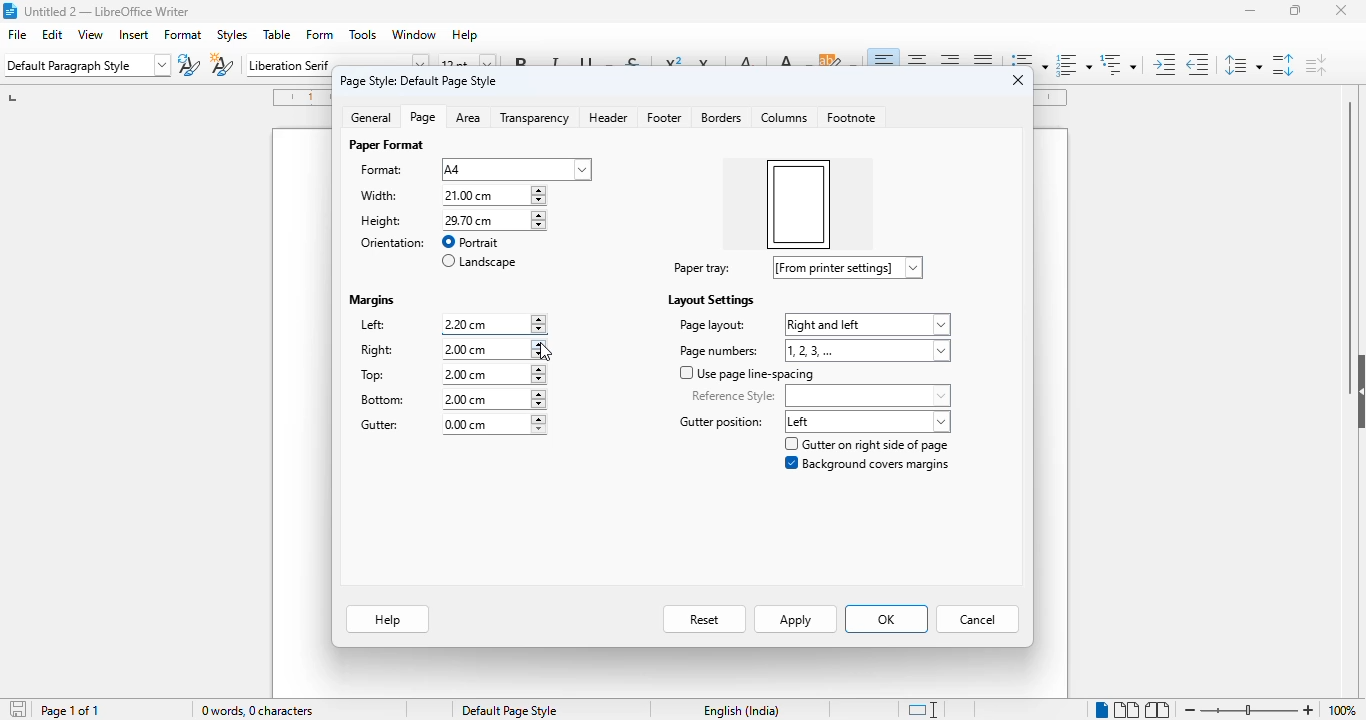  Describe the element at coordinates (663, 117) in the screenshot. I see `footer` at that location.